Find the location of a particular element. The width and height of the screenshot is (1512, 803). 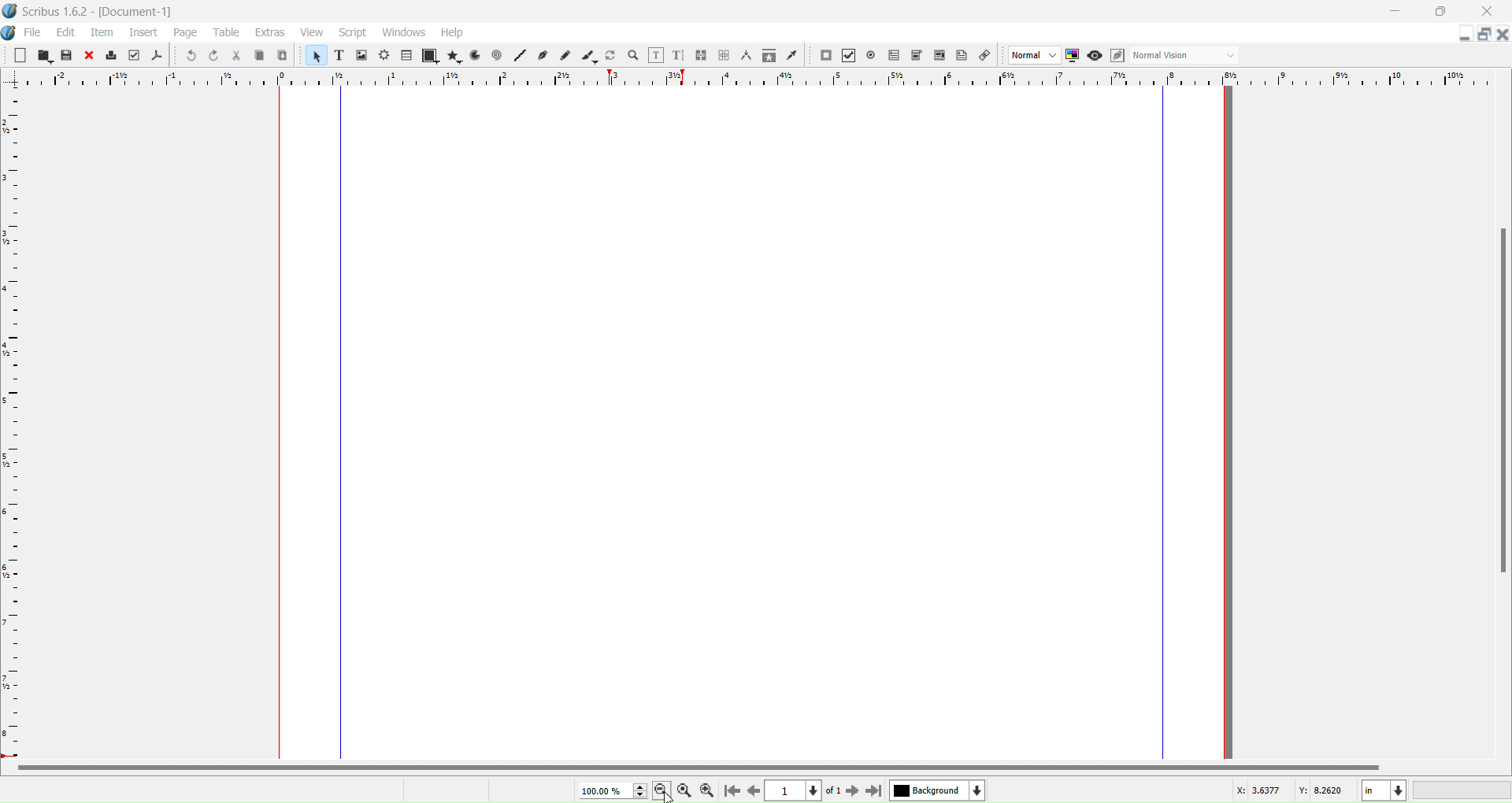

Open is located at coordinates (43, 57).